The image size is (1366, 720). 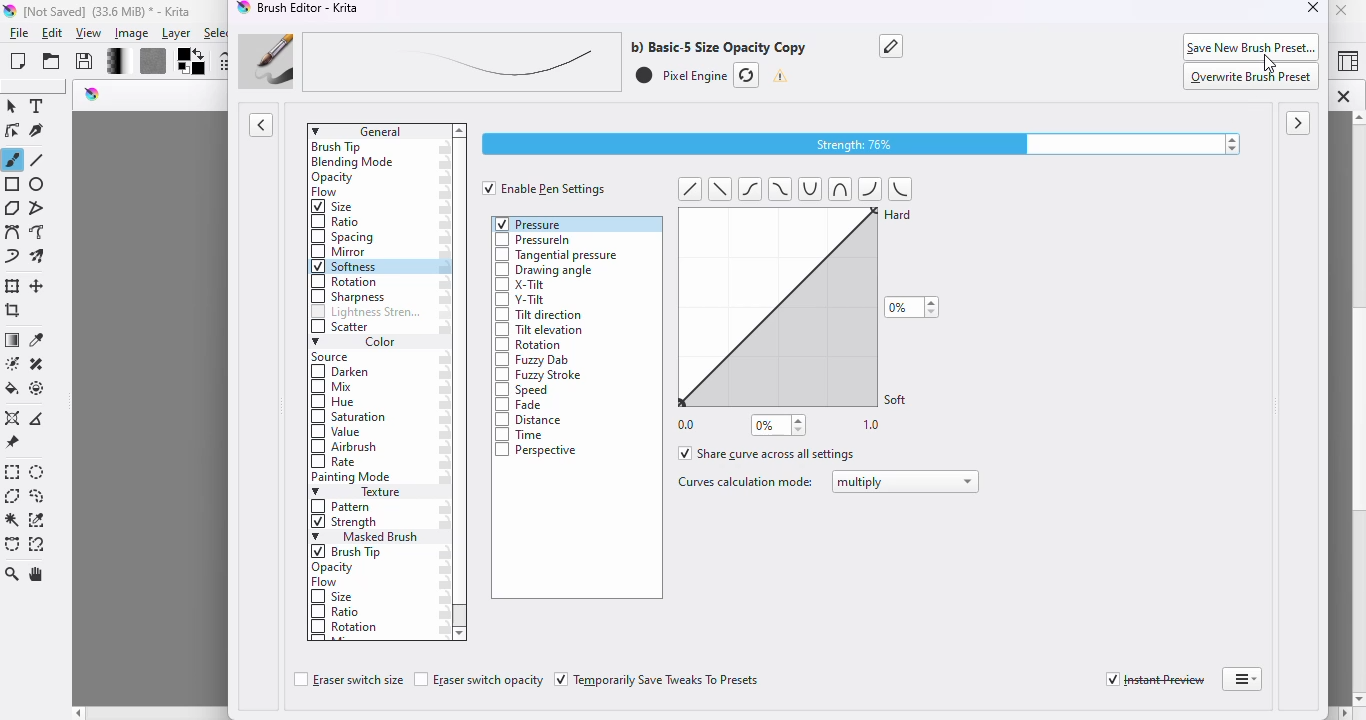 I want to click on view, so click(x=90, y=34).